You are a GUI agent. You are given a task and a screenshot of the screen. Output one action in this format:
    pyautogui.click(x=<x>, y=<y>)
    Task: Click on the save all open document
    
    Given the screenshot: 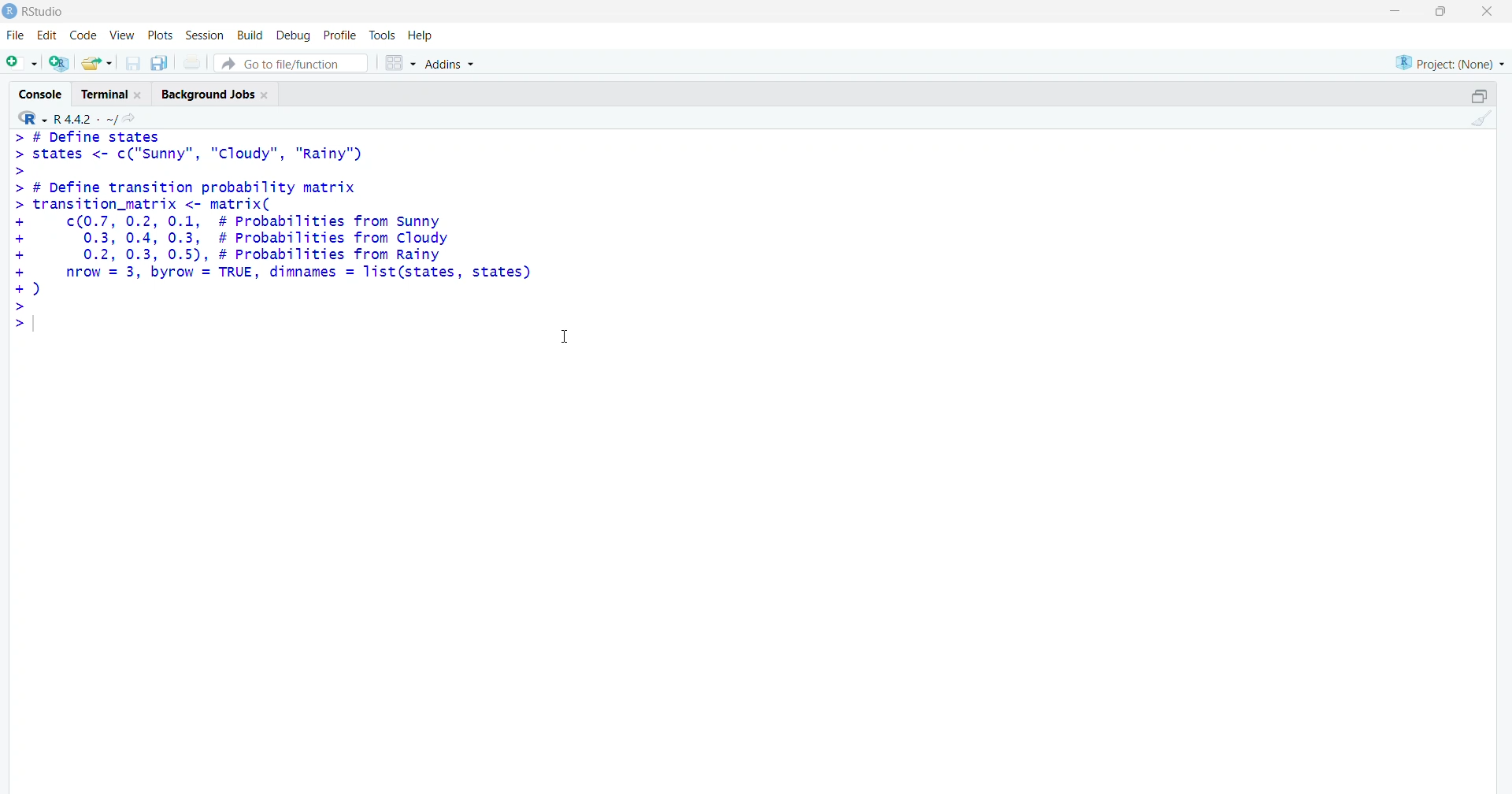 What is the action you would take?
    pyautogui.click(x=158, y=64)
    